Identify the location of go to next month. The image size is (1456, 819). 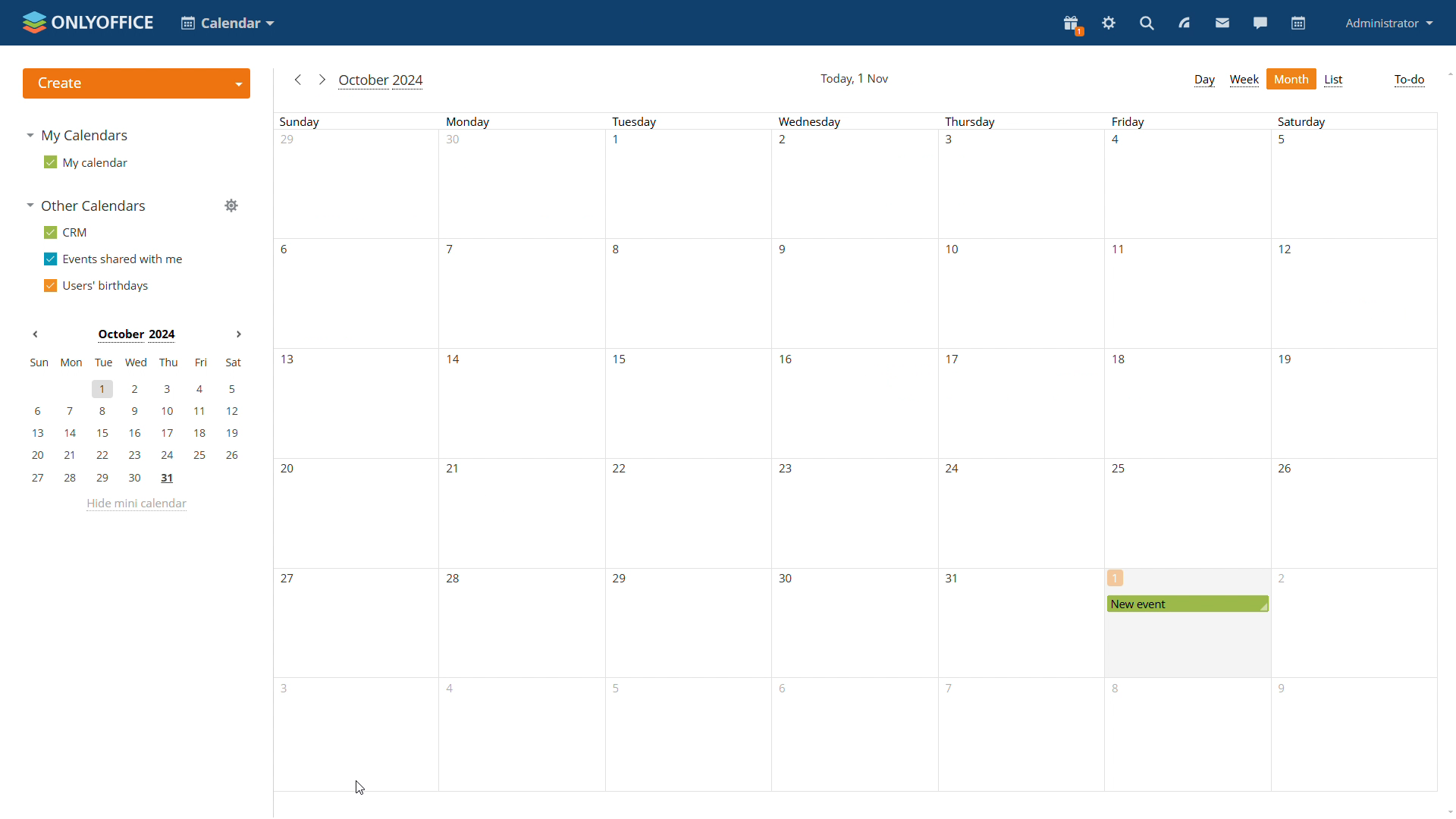
(322, 80).